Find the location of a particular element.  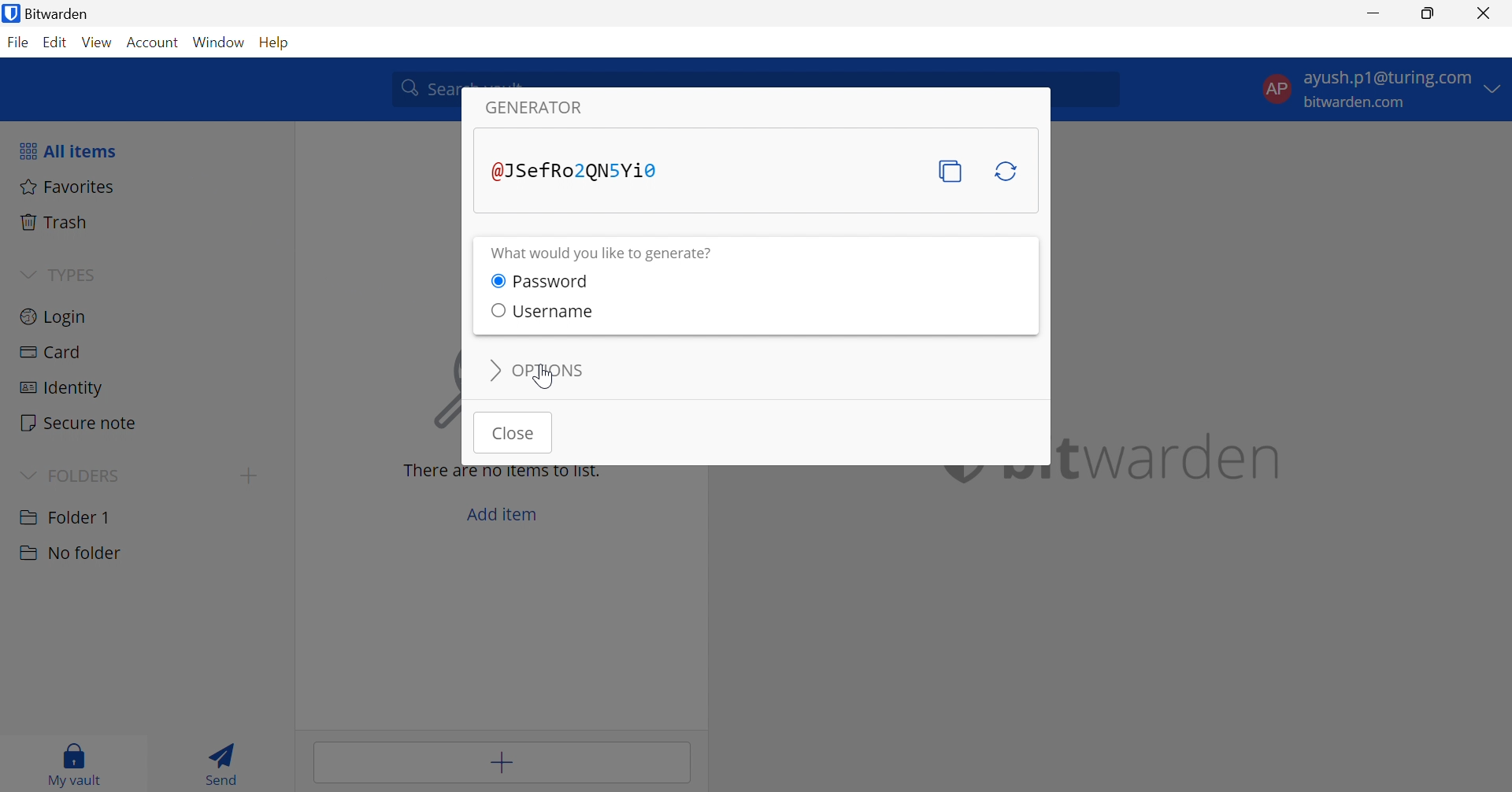

Identity is located at coordinates (62, 389).